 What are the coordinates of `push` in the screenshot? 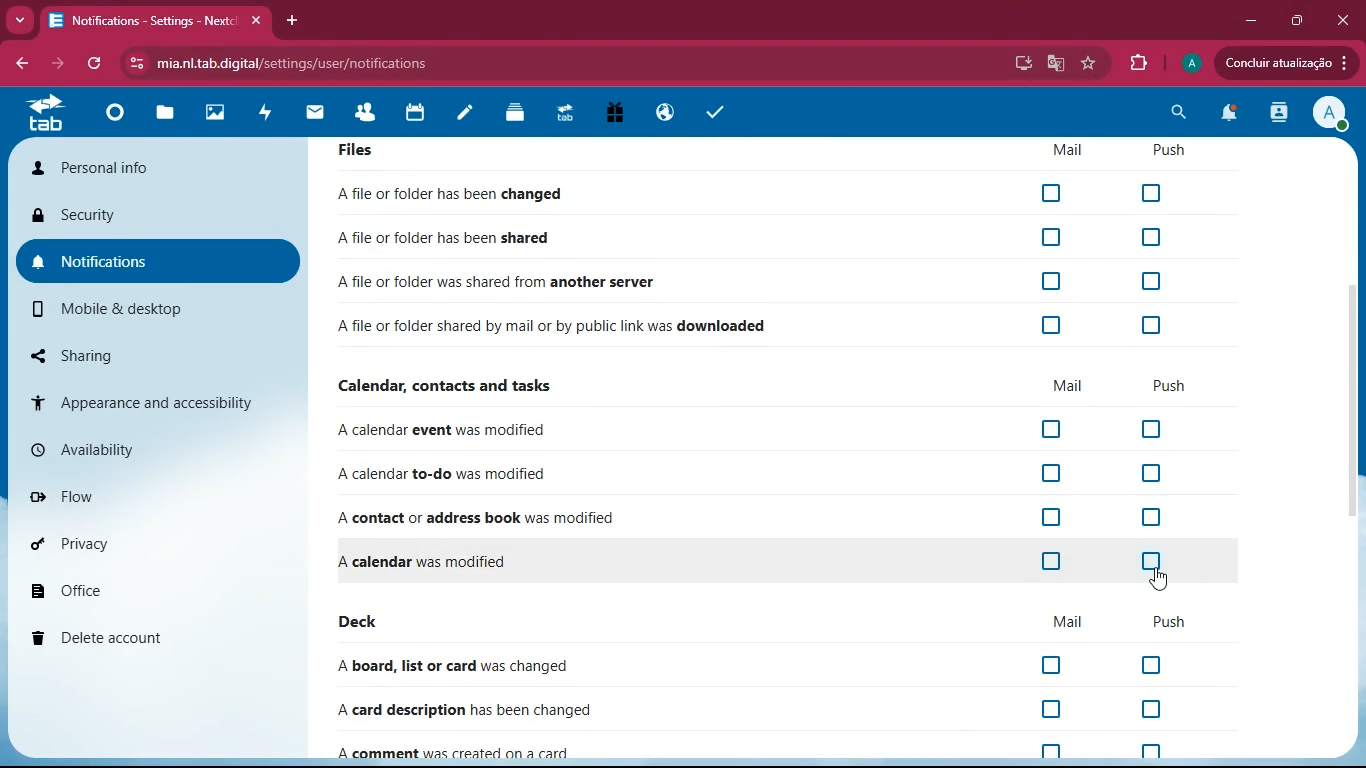 It's located at (1166, 622).